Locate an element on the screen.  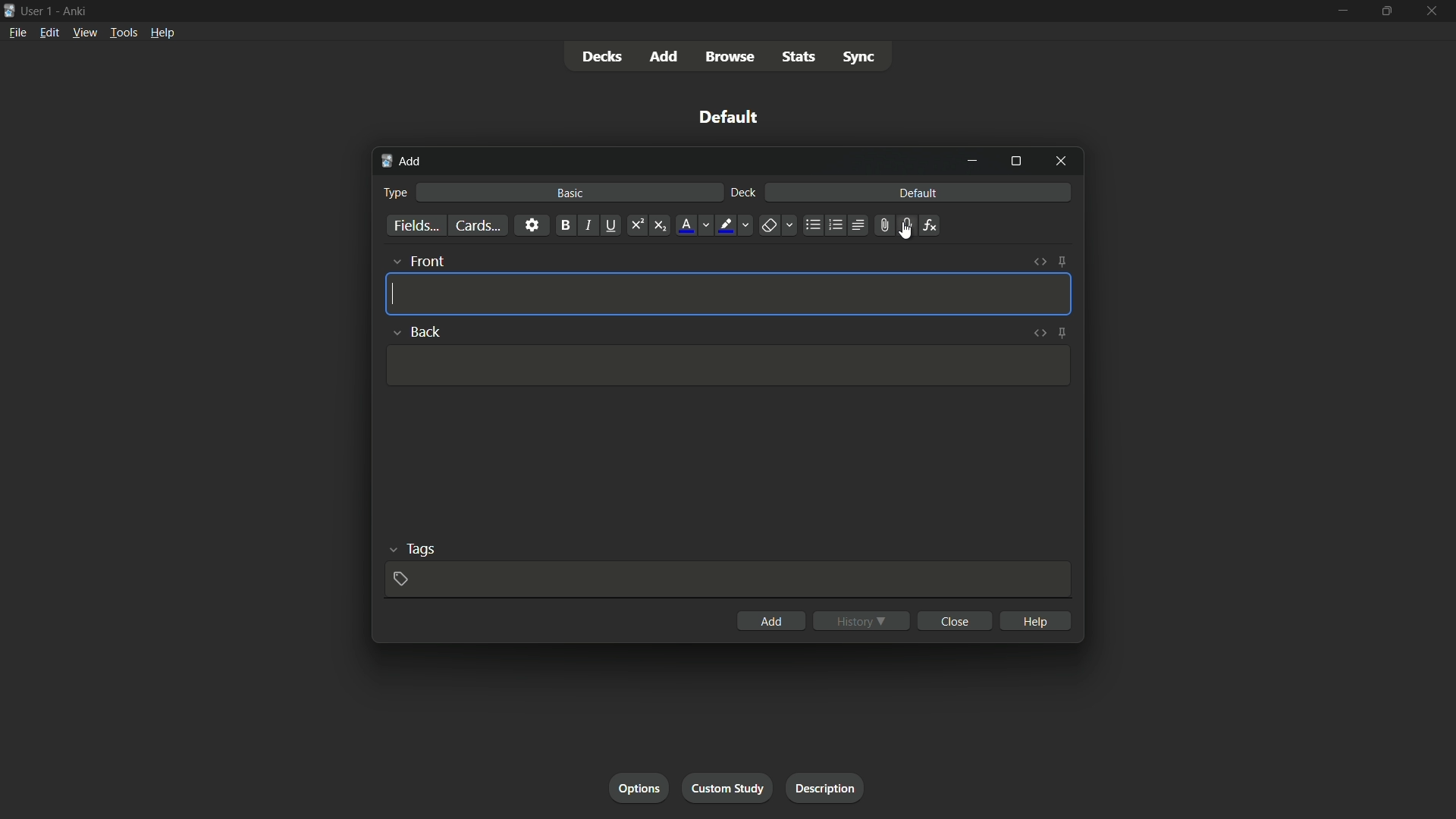
add is located at coordinates (401, 162).